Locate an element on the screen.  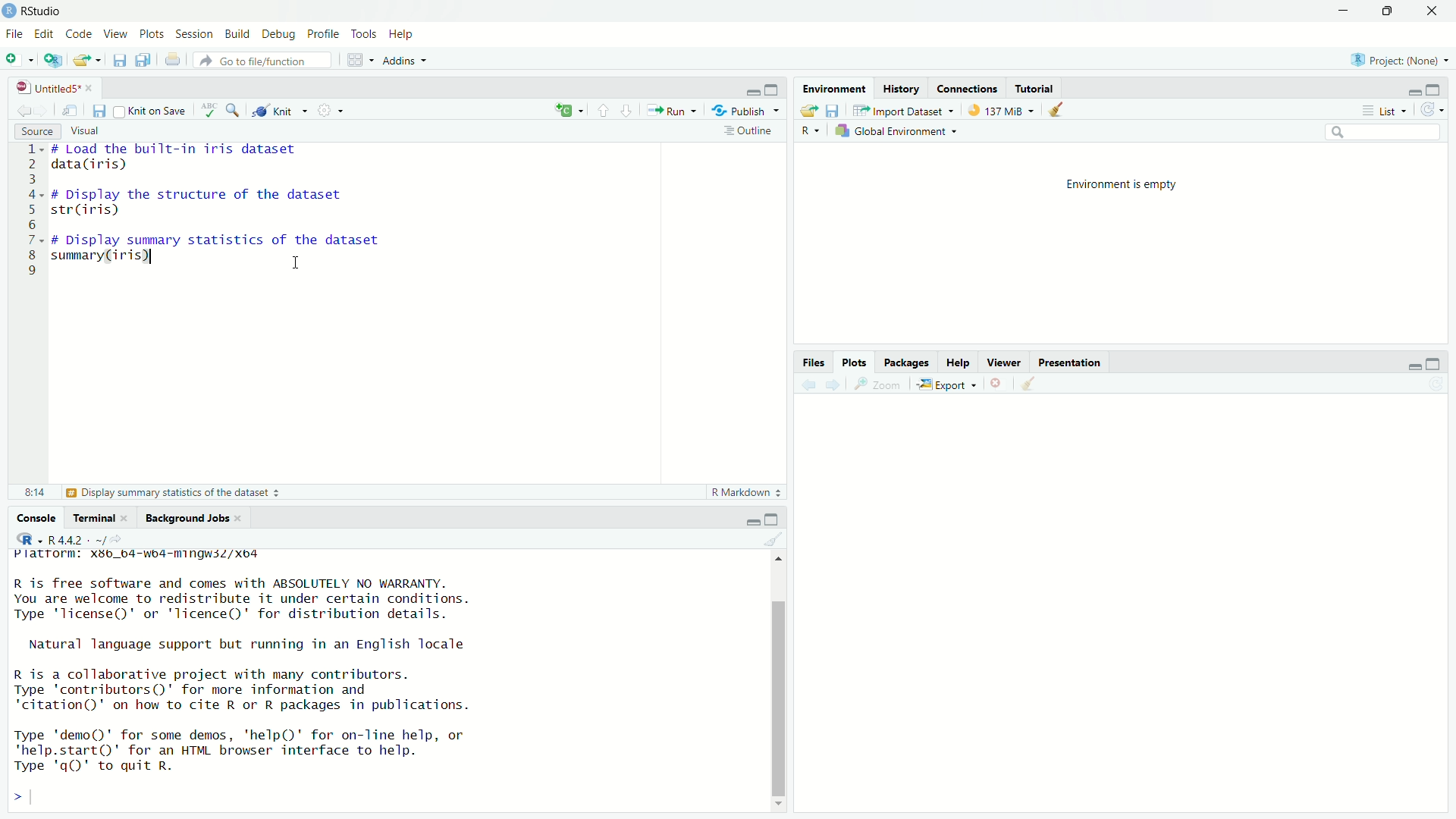
Outline is located at coordinates (753, 132).